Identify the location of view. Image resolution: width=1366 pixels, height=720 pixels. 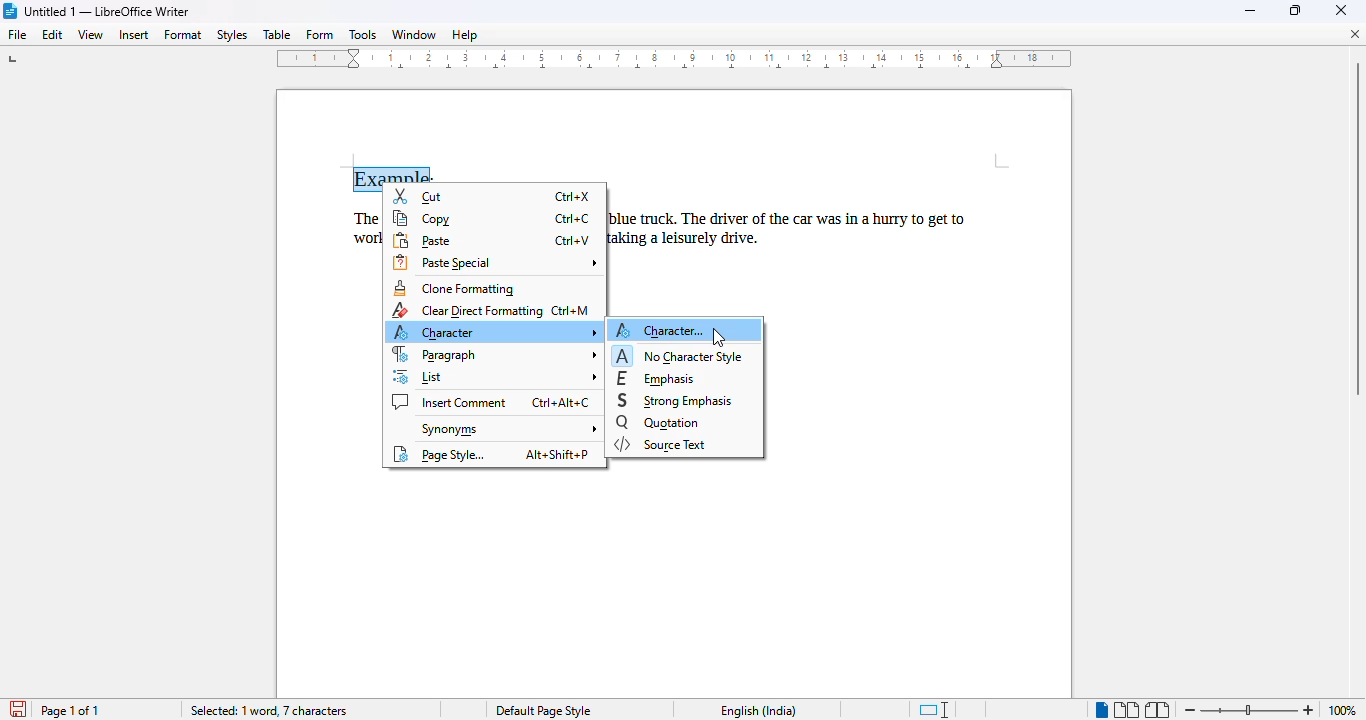
(91, 35).